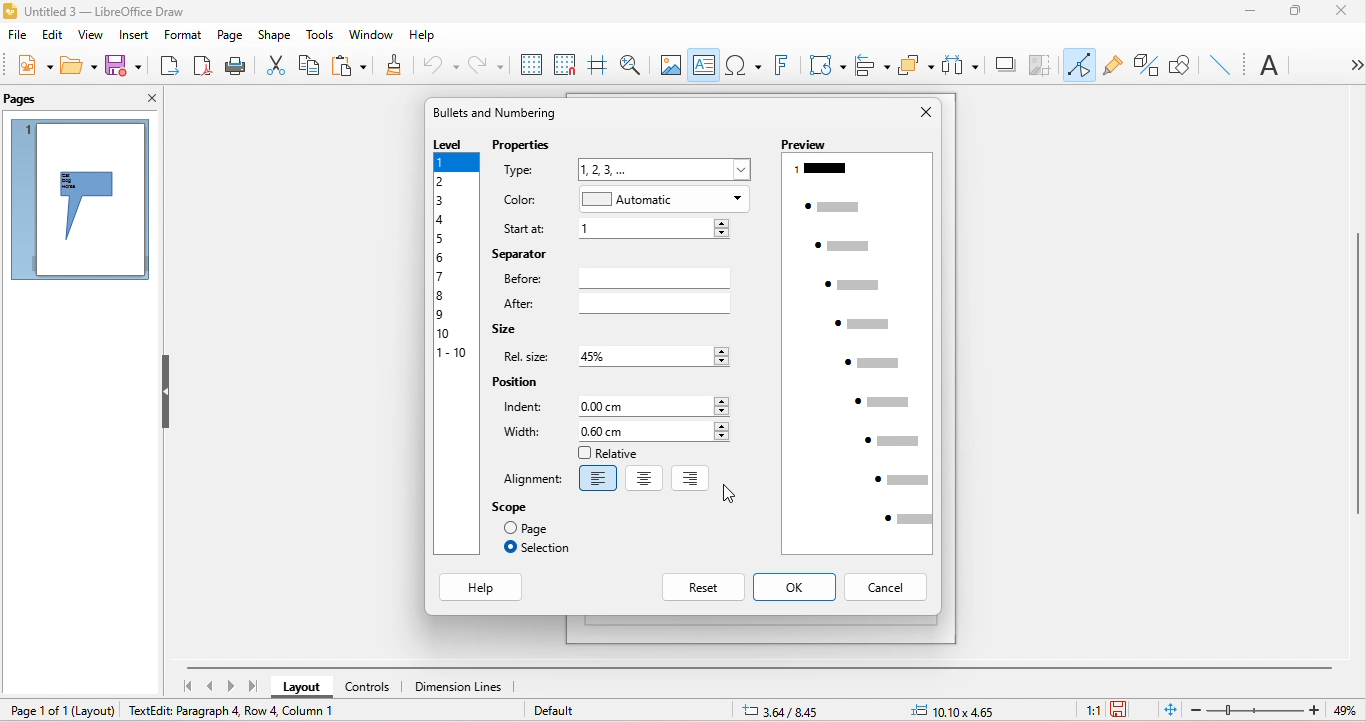 This screenshot has height=722, width=1366. I want to click on selection, so click(538, 551).